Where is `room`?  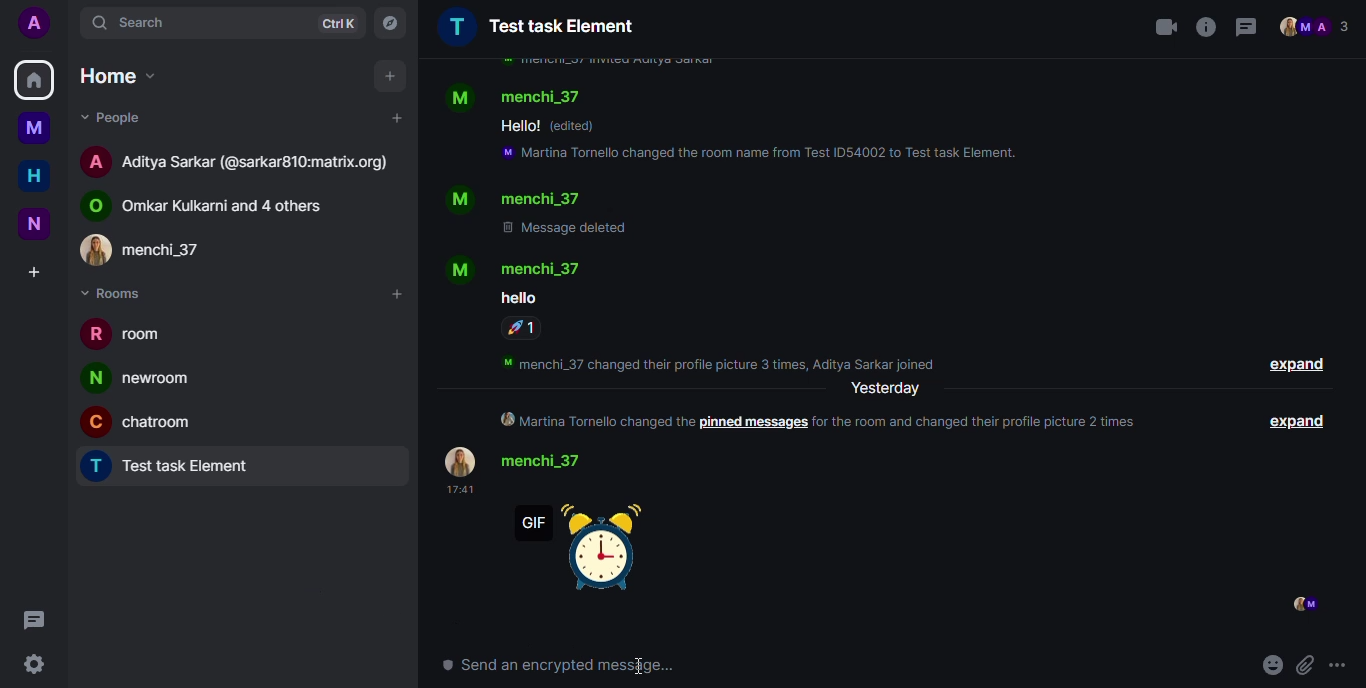 room is located at coordinates (130, 337).